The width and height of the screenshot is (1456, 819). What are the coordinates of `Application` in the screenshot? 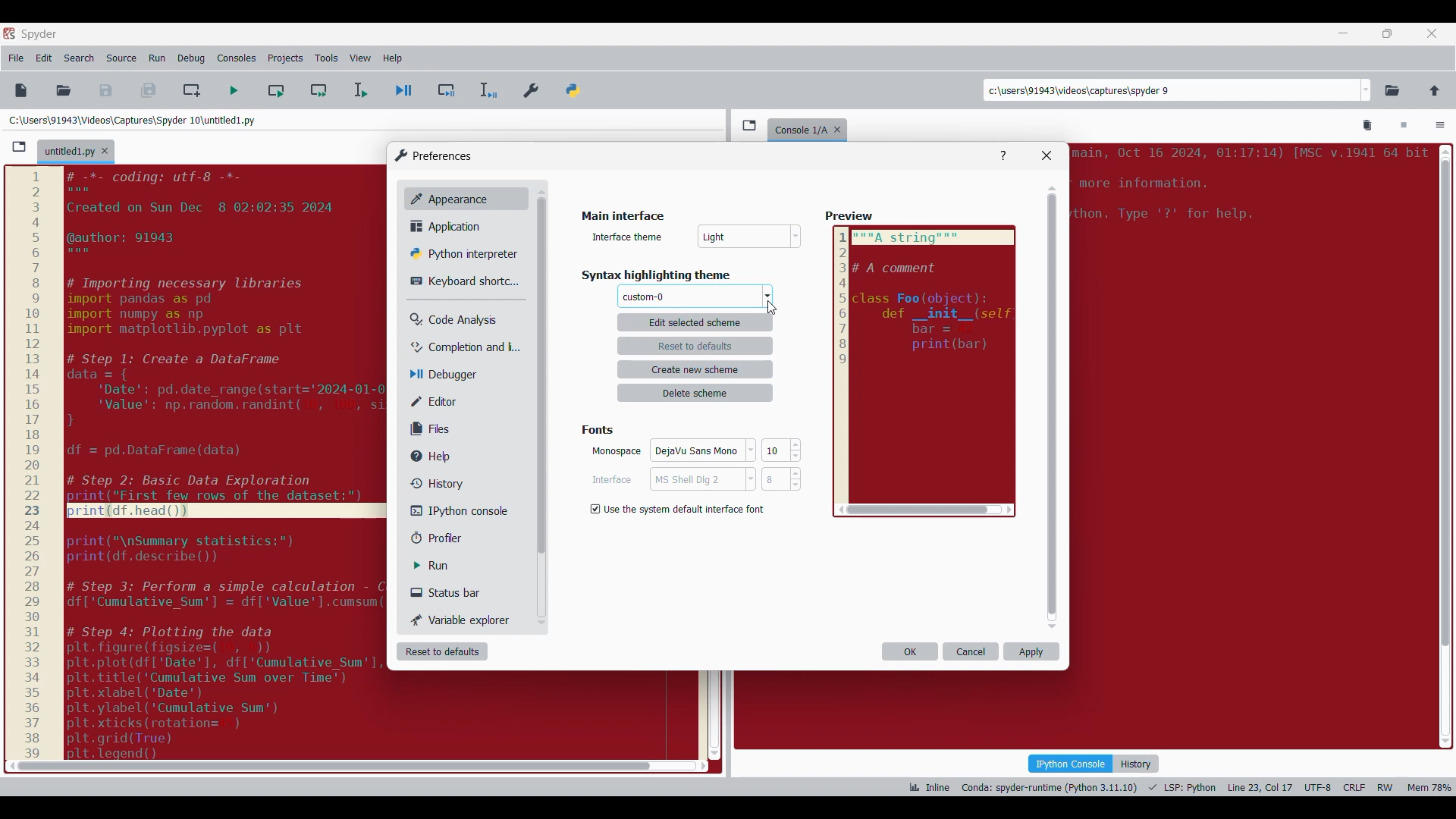 It's located at (450, 226).